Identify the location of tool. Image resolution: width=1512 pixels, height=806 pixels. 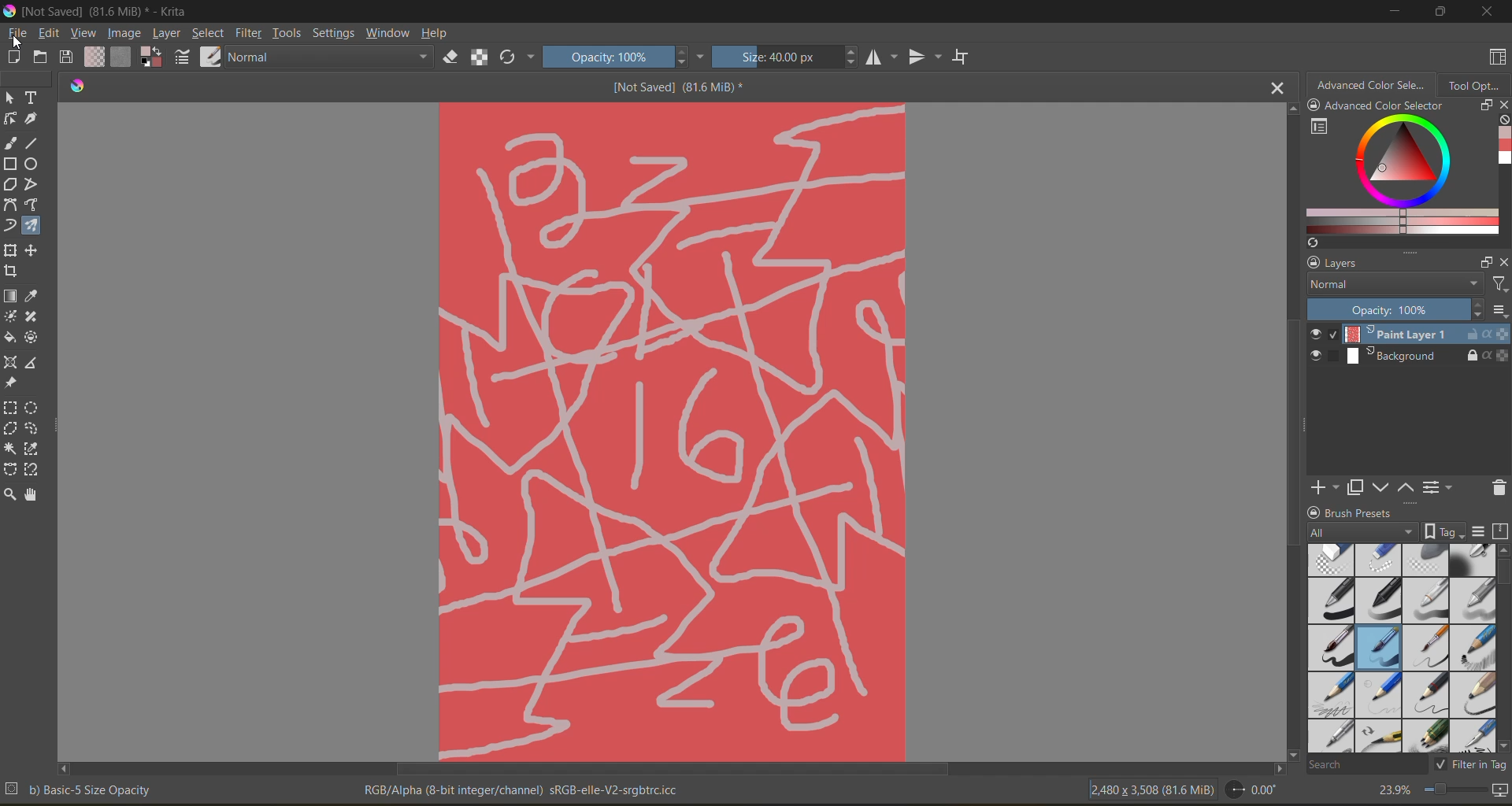
(11, 272).